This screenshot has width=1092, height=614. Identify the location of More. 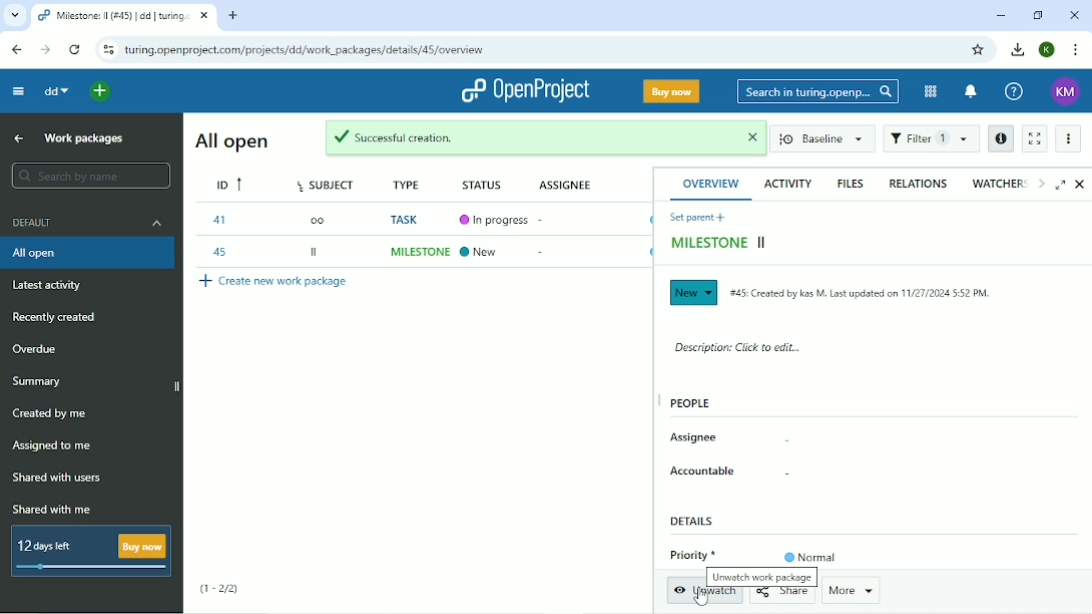
(1068, 138).